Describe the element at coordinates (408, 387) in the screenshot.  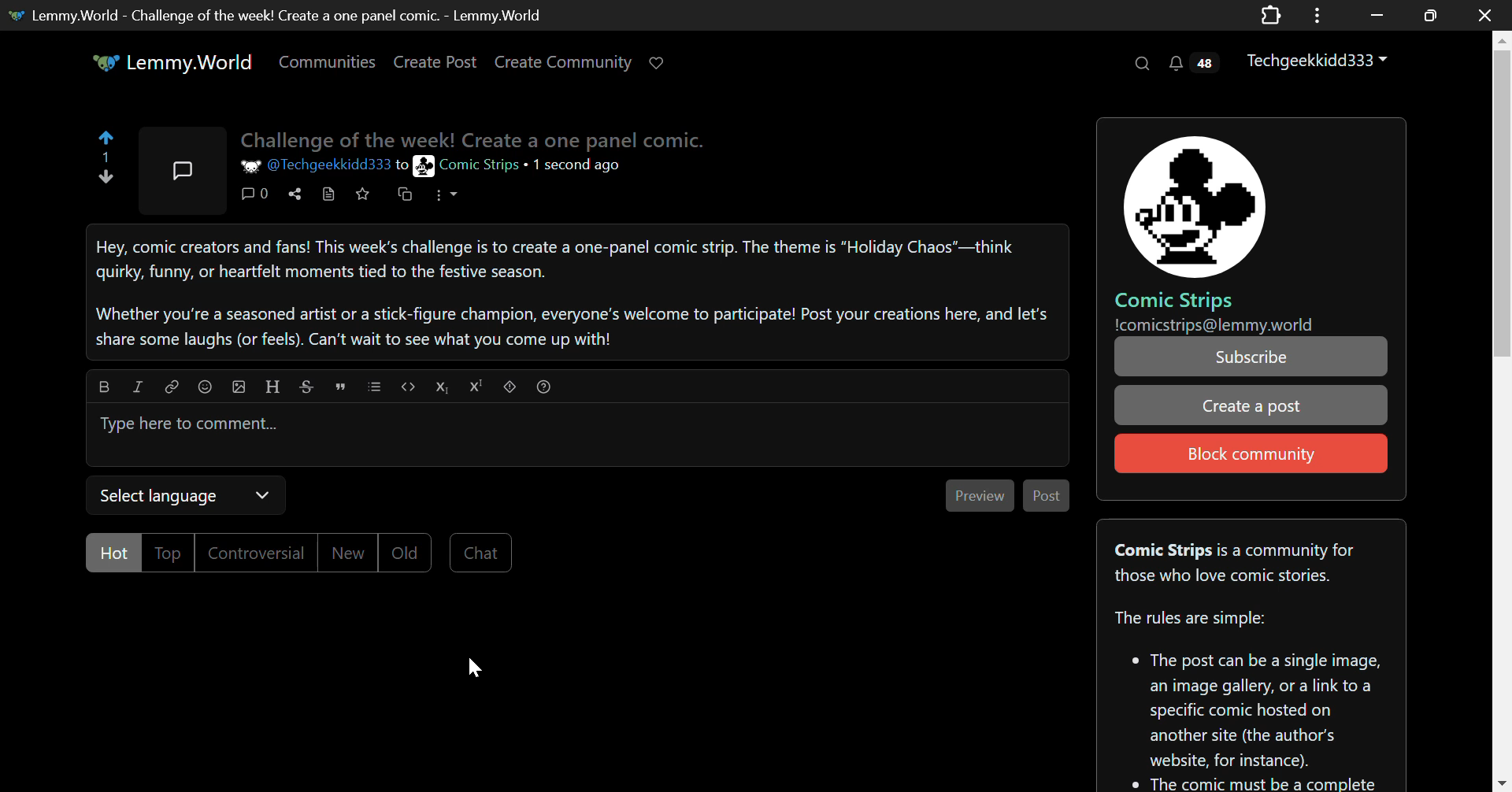
I see `Code` at that location.